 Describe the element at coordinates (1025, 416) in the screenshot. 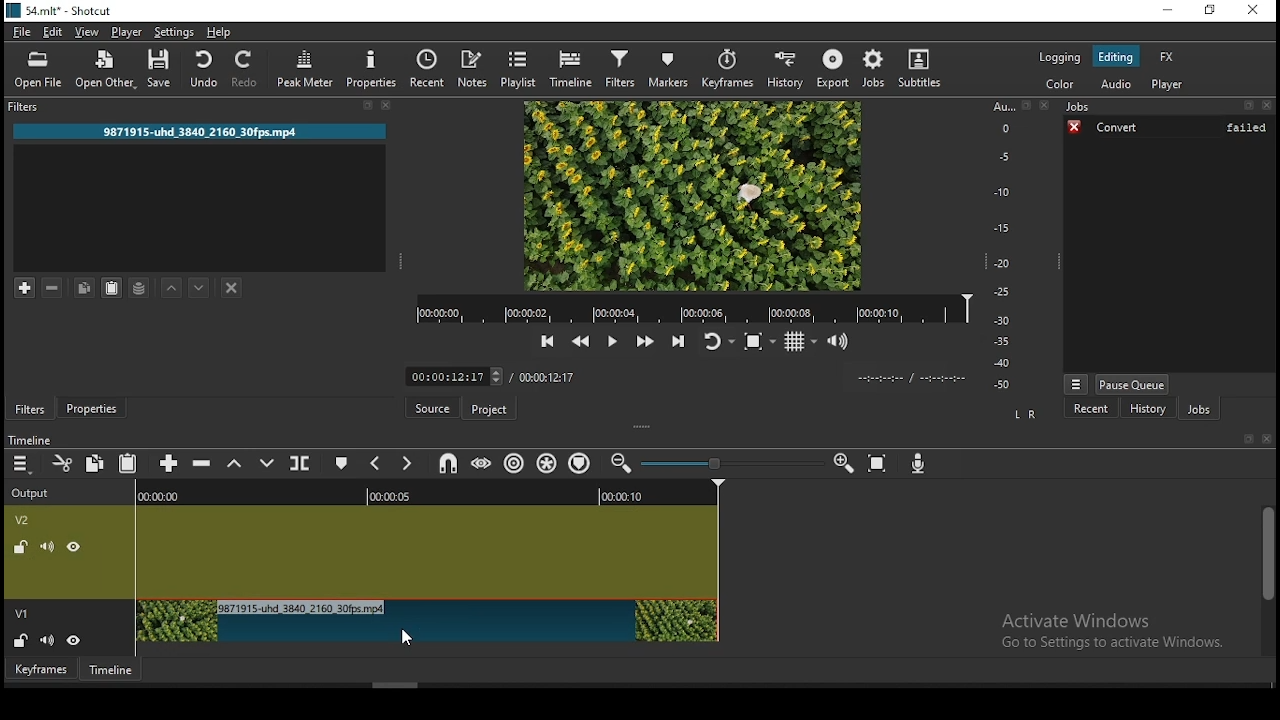

I see `L R` at that location.